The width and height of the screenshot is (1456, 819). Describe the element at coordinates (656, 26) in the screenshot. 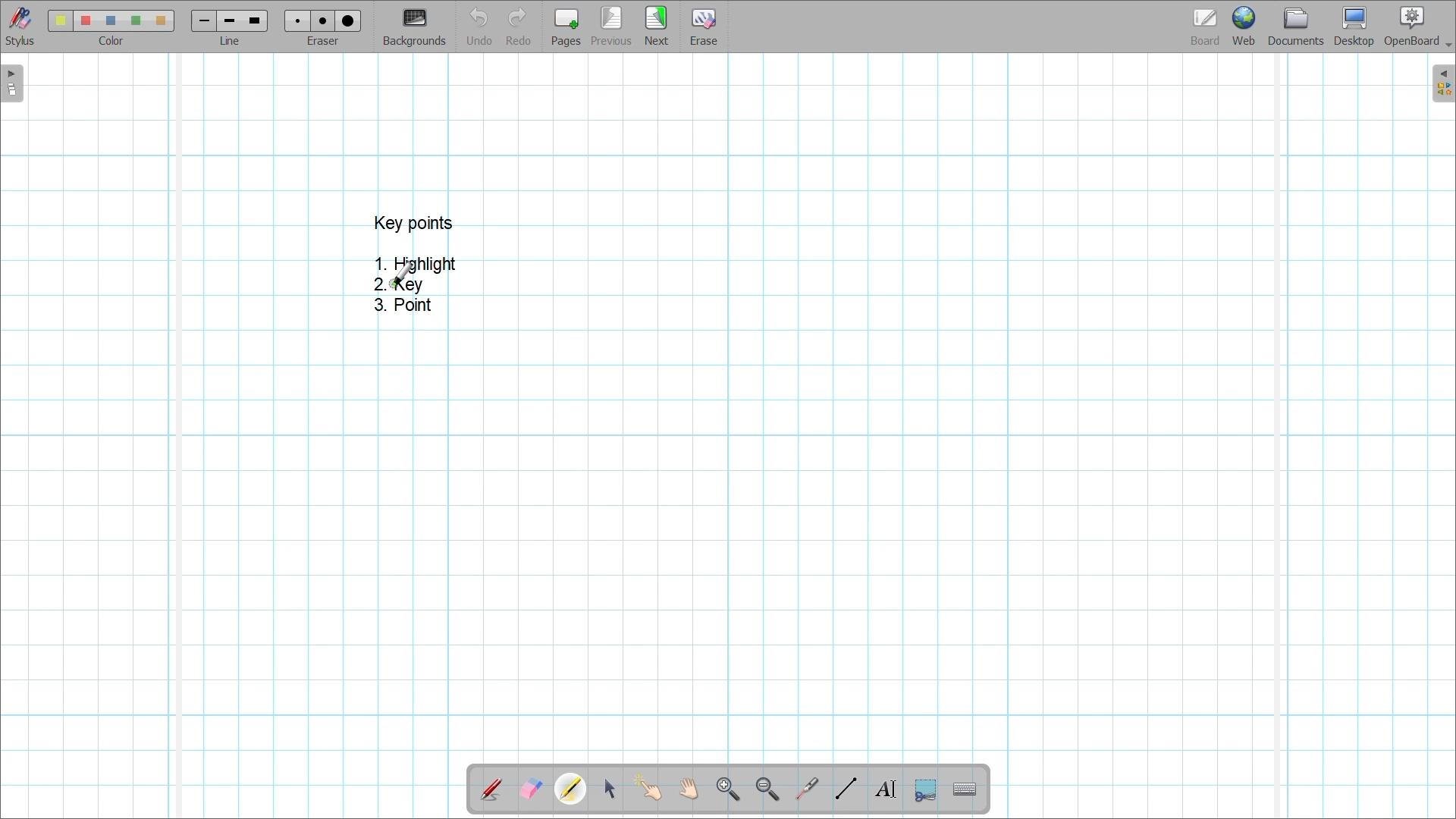

I see `Go to next page` at that location.